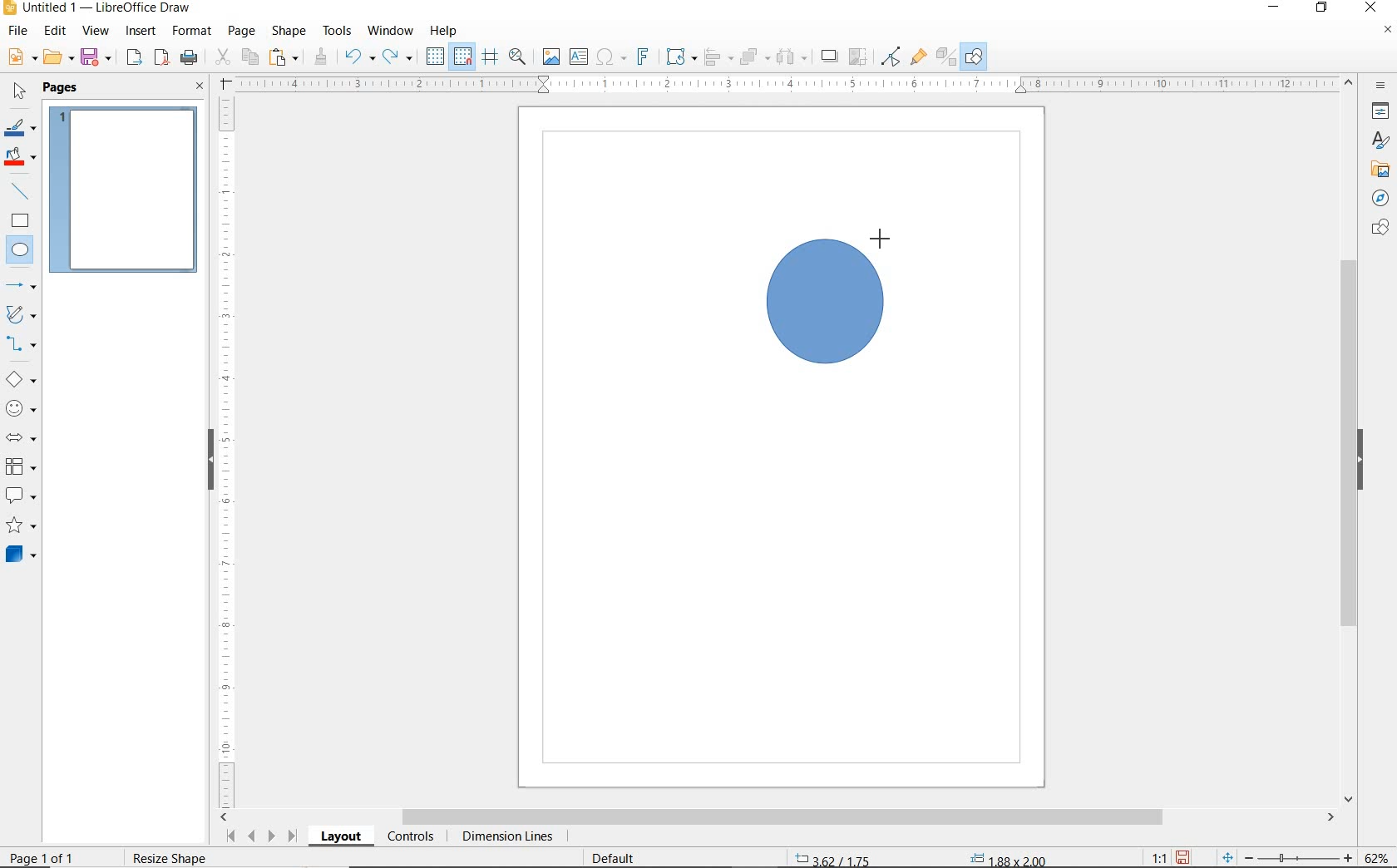  What do you see at coordinates (444, 31) in the screenshot?
I see `HELP` at bounding box center [444, 31].